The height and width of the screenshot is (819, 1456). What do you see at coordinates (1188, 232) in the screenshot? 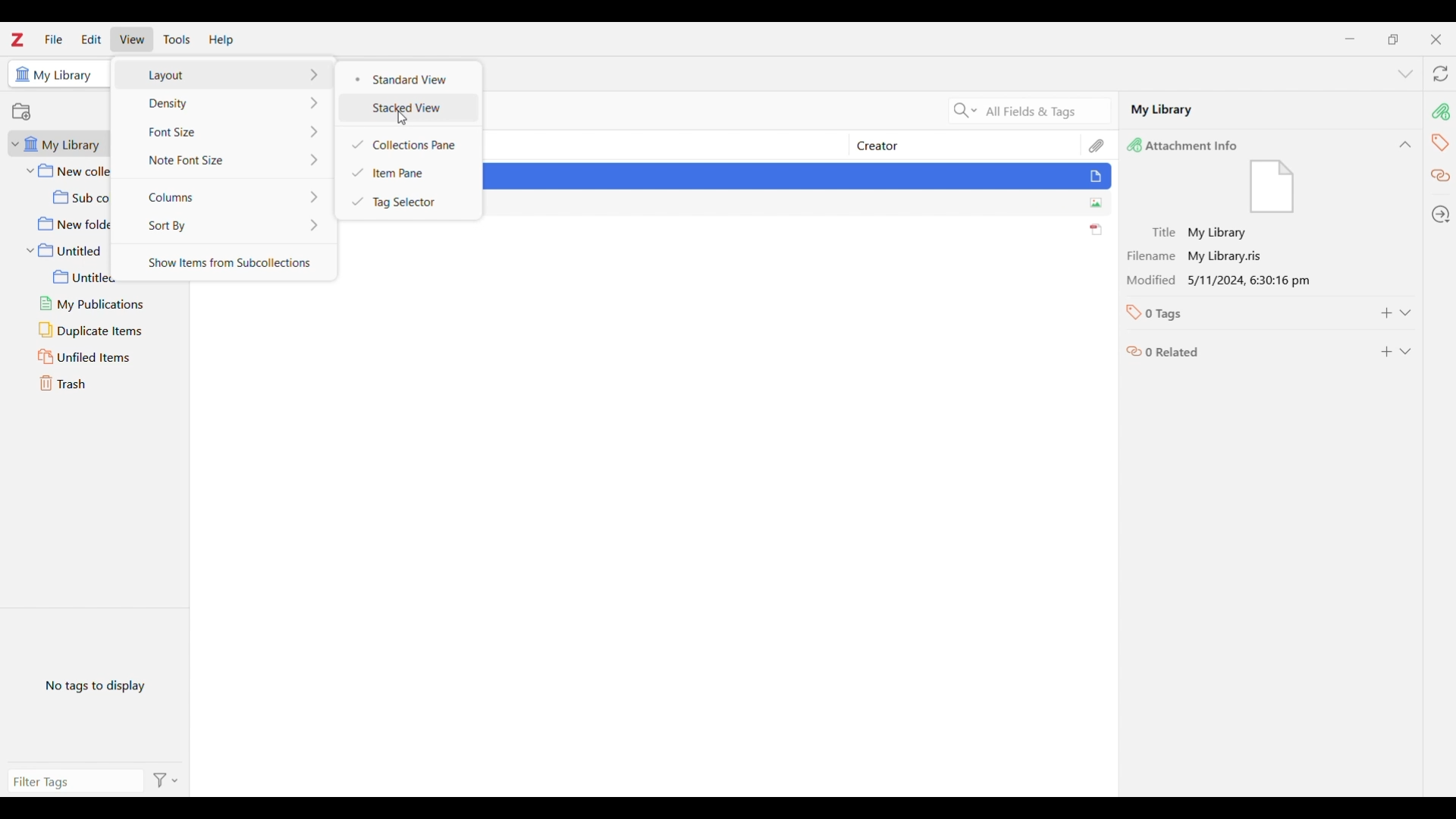
I see `Title of selected file` at bounding box center [1188, 232].